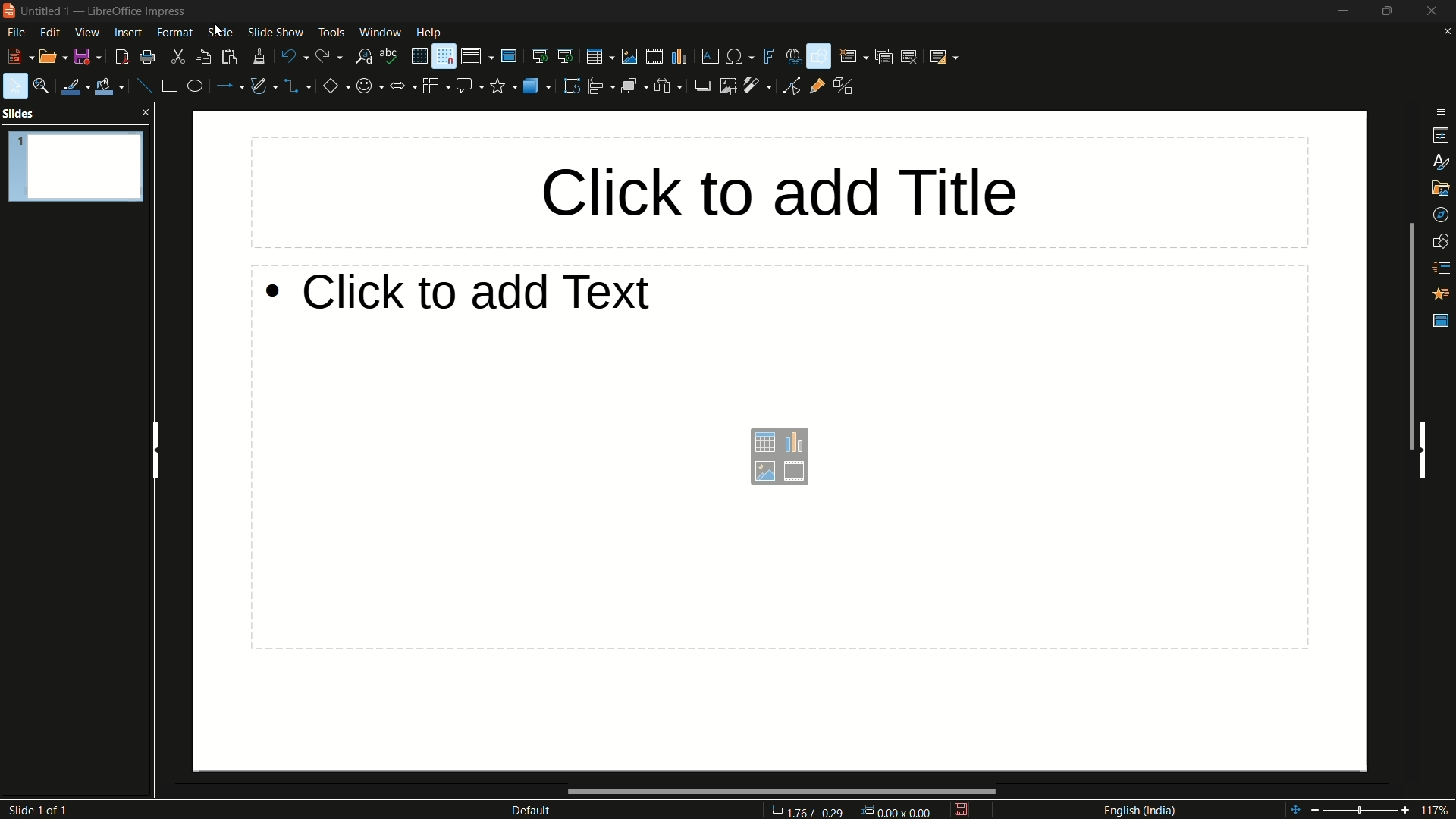  What do you see at coordinates (262, 86) in the screenshot?
I see `curves and polygon` at bounding box center [262, 86].